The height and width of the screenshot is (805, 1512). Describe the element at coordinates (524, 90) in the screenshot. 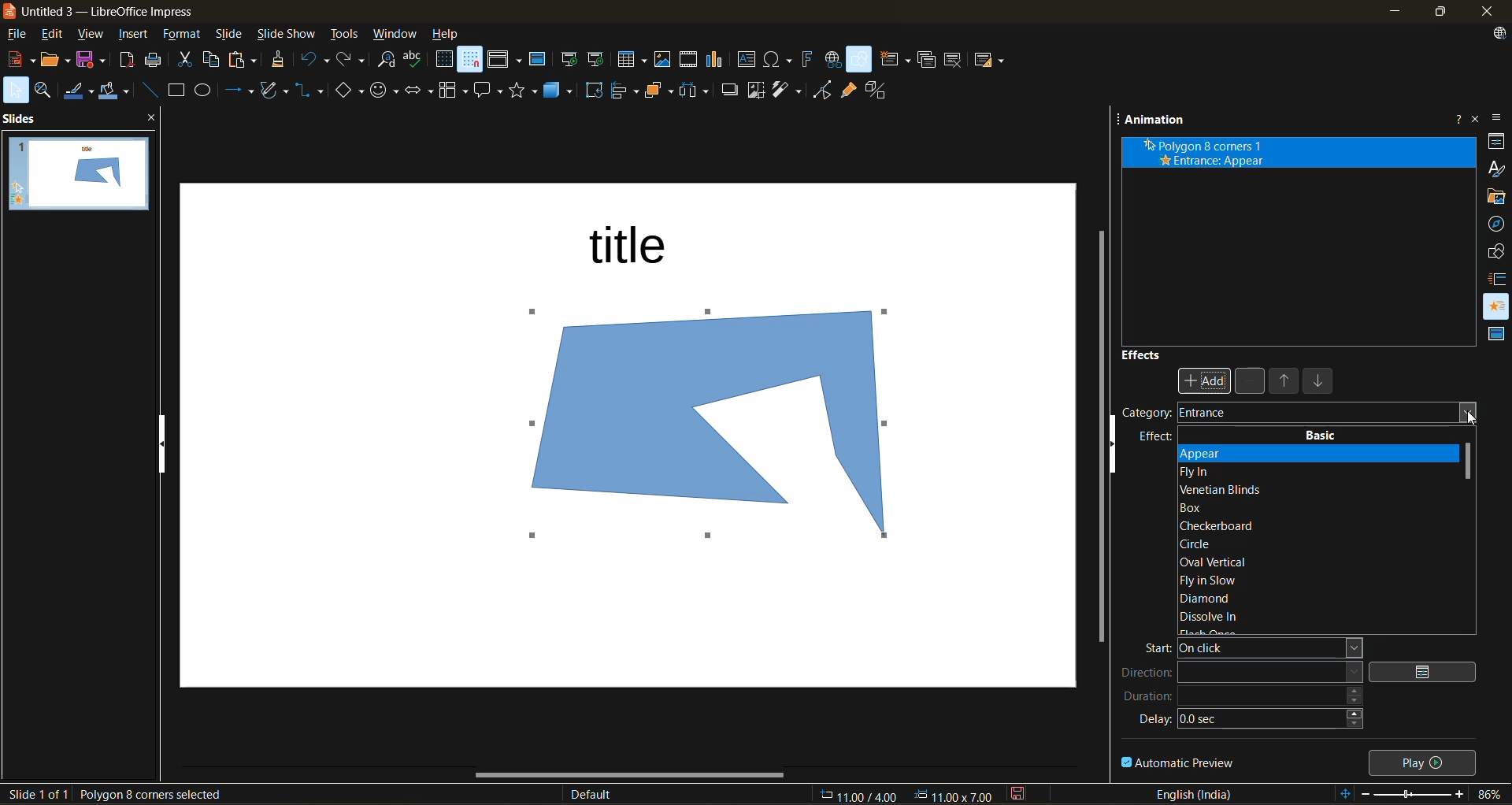

I see `stars and banners` at that location.